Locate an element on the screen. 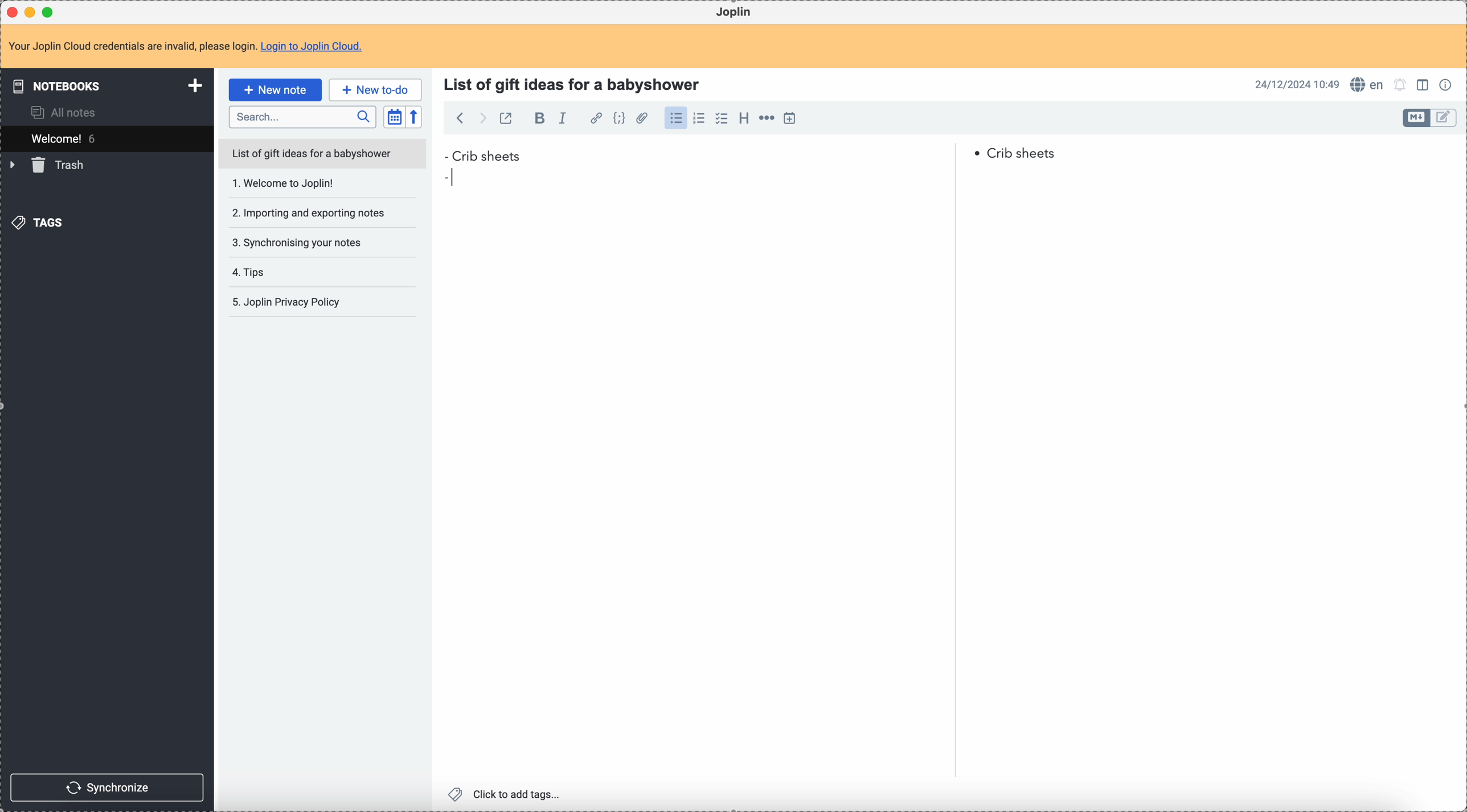  maximize Joplin is located at coordinates (51, 11).